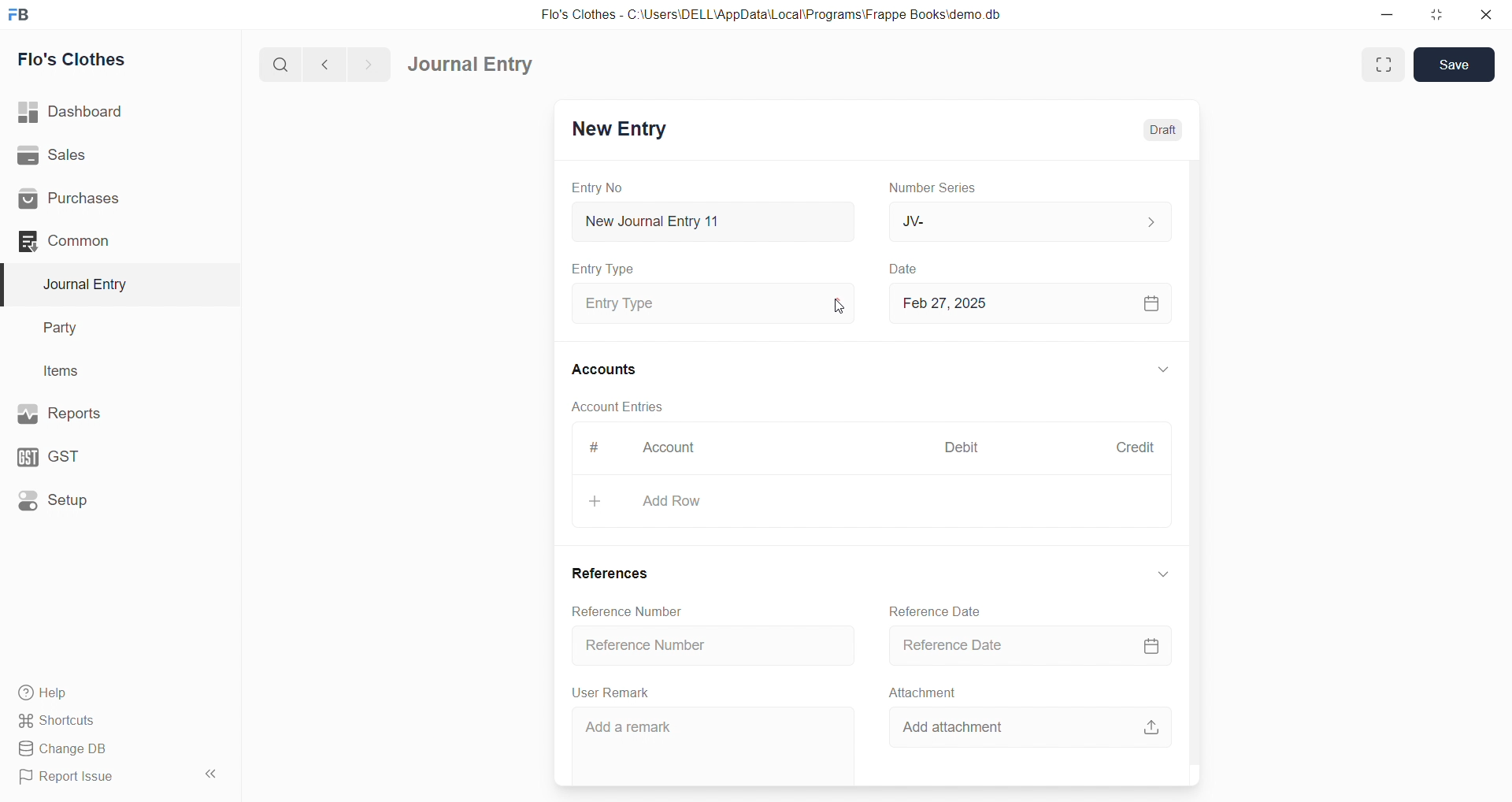 The height and width of the screenshot is (802, 1512). What do you see at coordinates (95, 200) in the screenshot?
I see `Purchases` at bounding box center [95, 200].